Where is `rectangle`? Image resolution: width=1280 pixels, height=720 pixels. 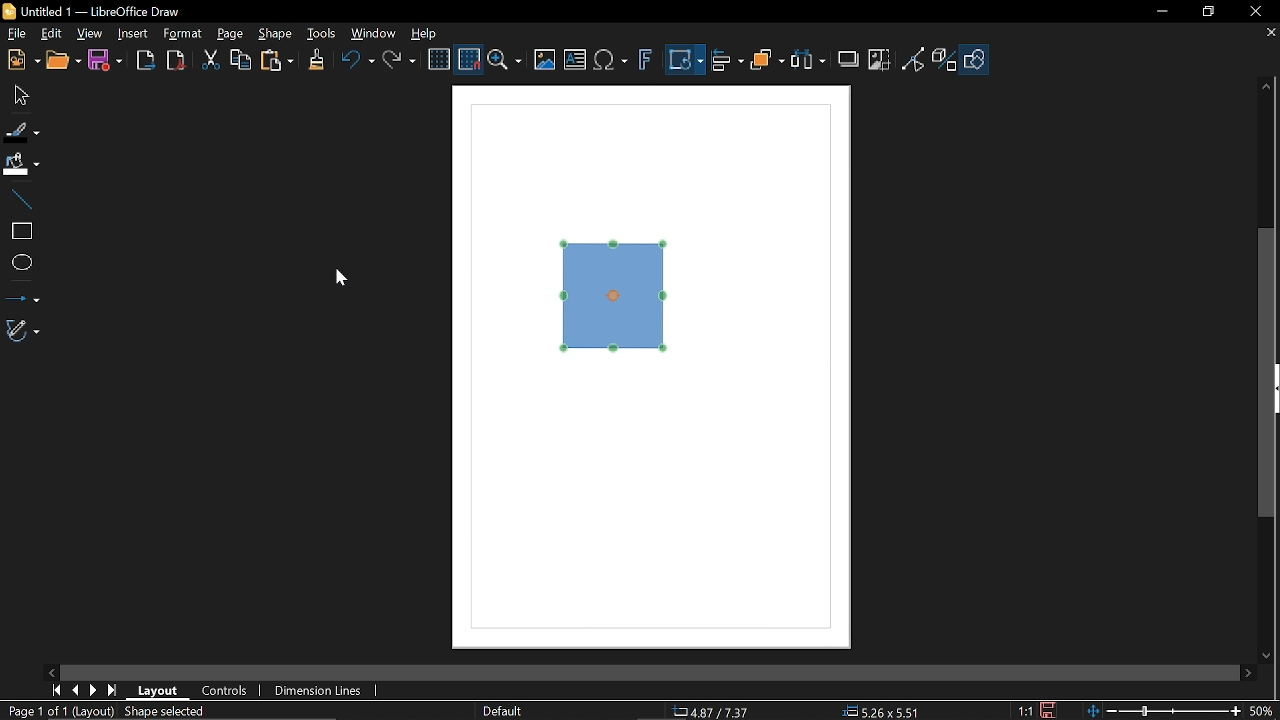 rectangle is located at coordinates (19, 232).